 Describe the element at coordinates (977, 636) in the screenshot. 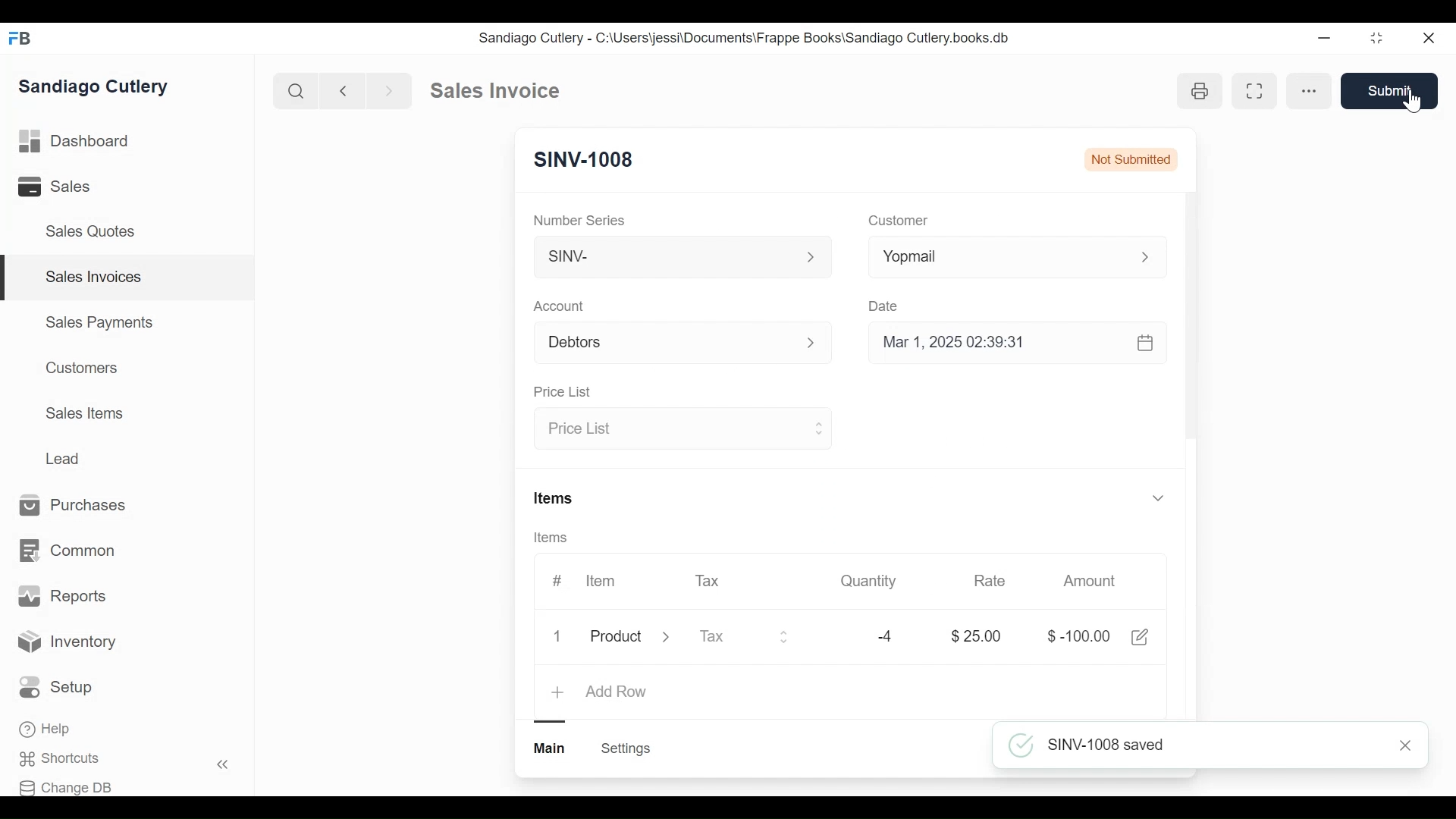

I see `$25.00` at that location.